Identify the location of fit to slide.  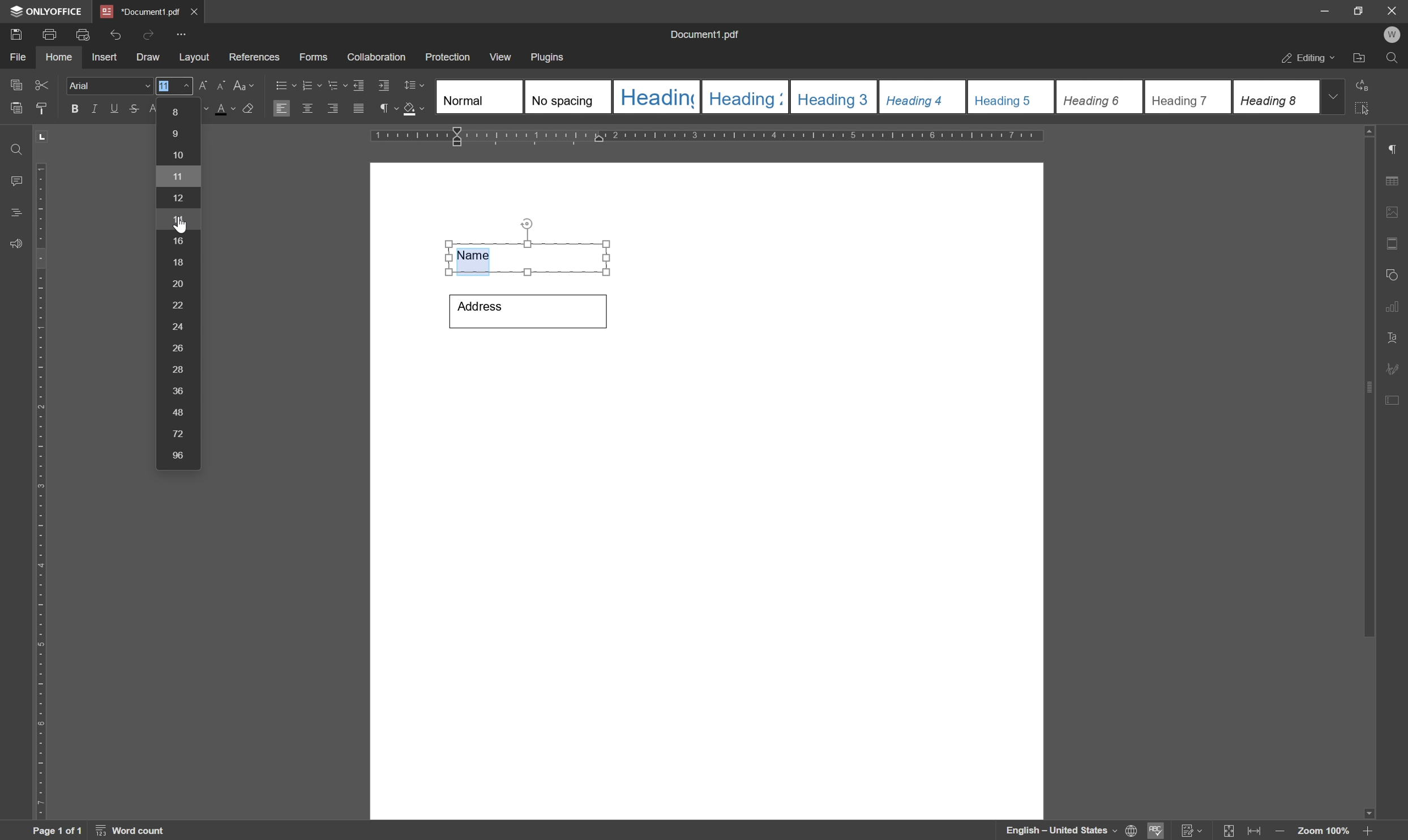
(1228, 831).